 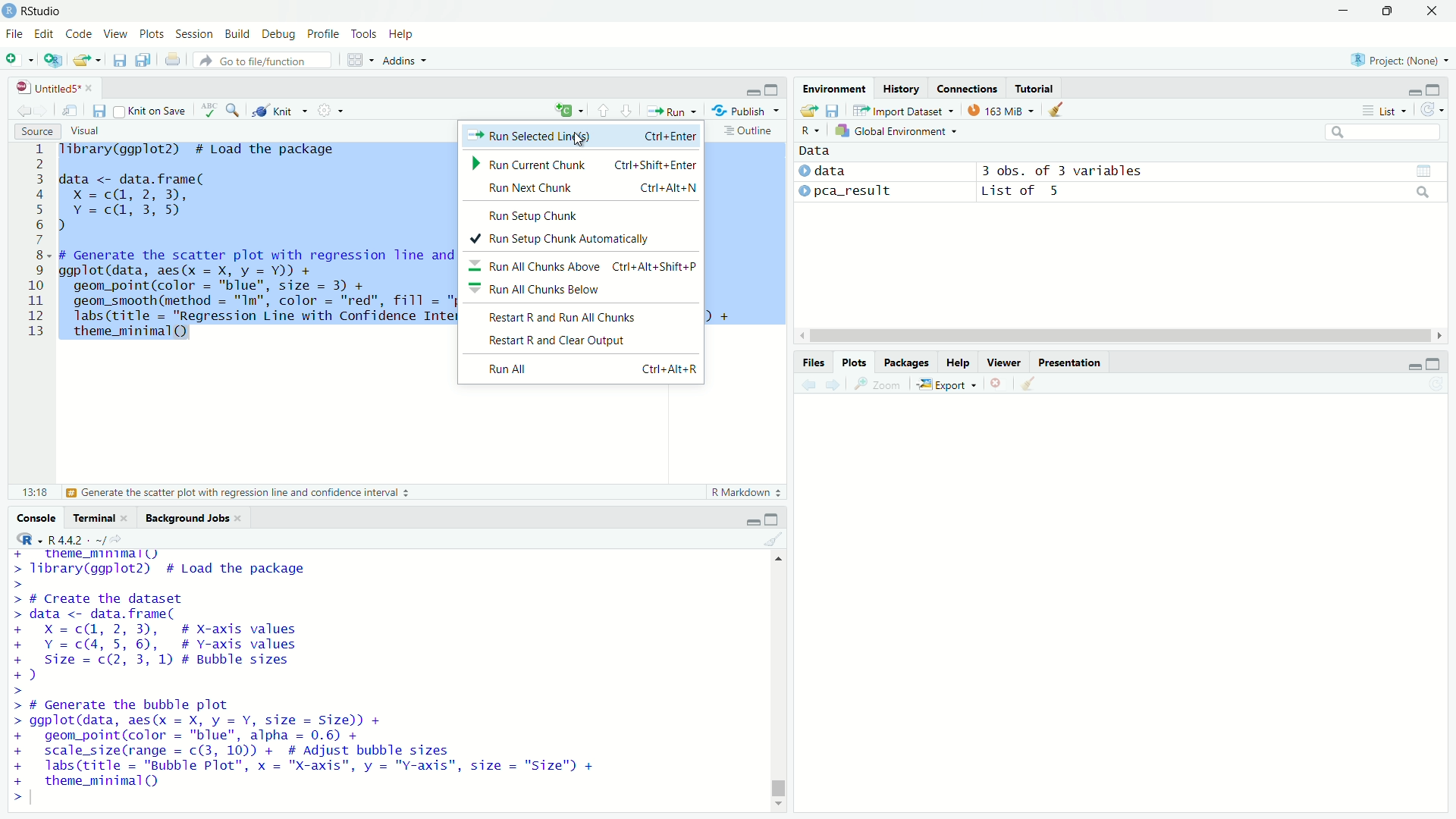 What do you see at coordinates (193, 34) in the screenshot?
I see `Session` at bounding box center [193, 34].